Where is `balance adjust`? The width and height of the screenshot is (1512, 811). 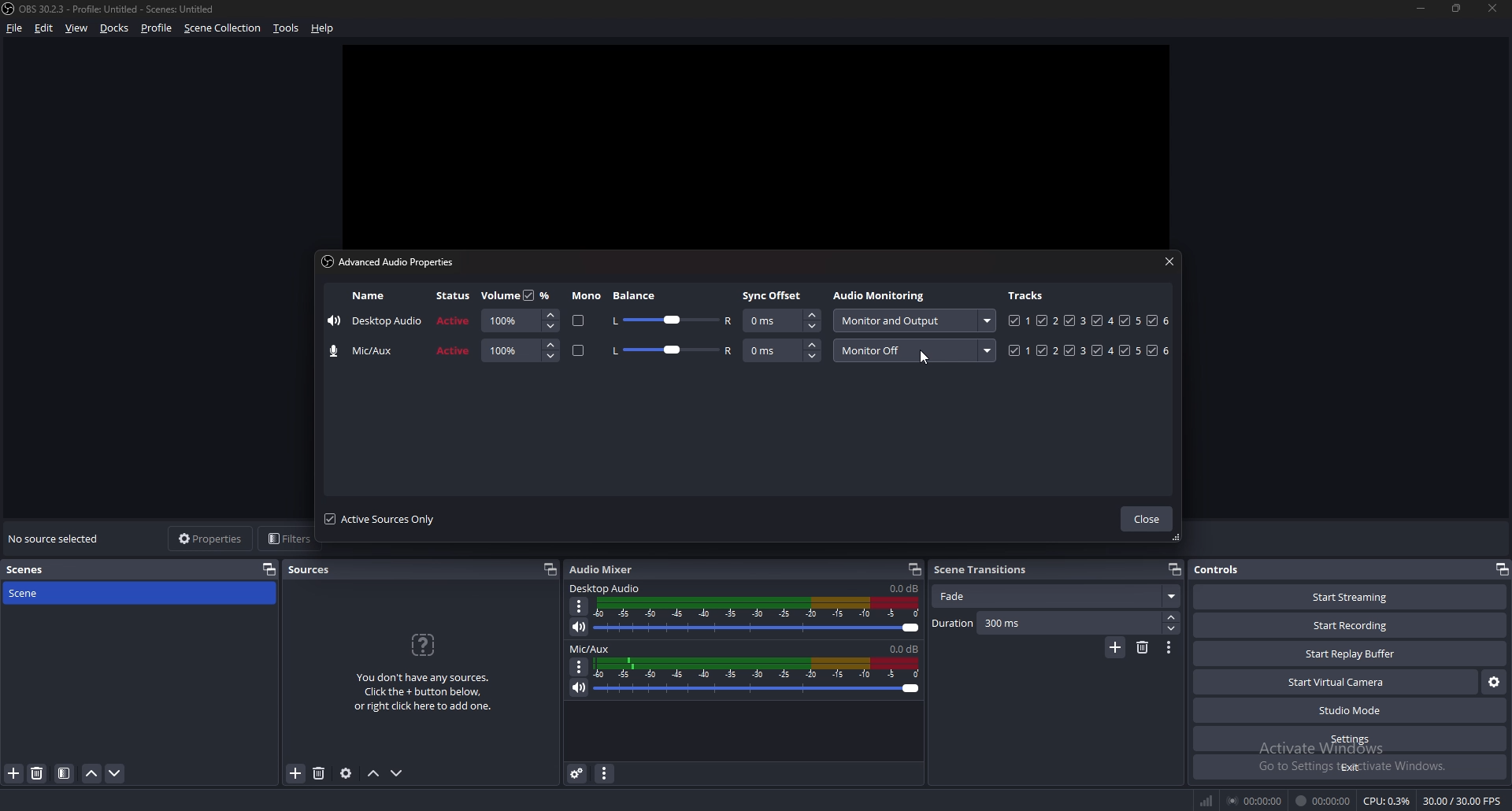 balance adjust is located at coordinates (673, 351).